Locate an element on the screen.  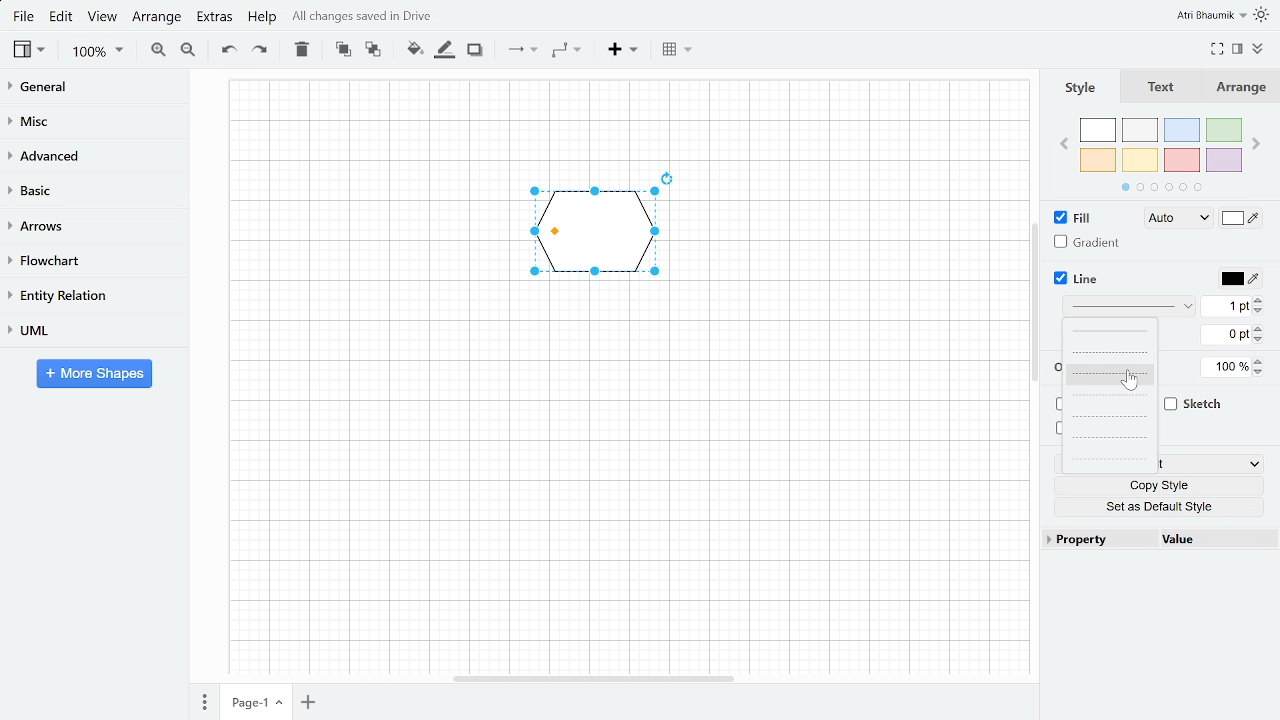
pages Pages is located at coordinates (204, 701).